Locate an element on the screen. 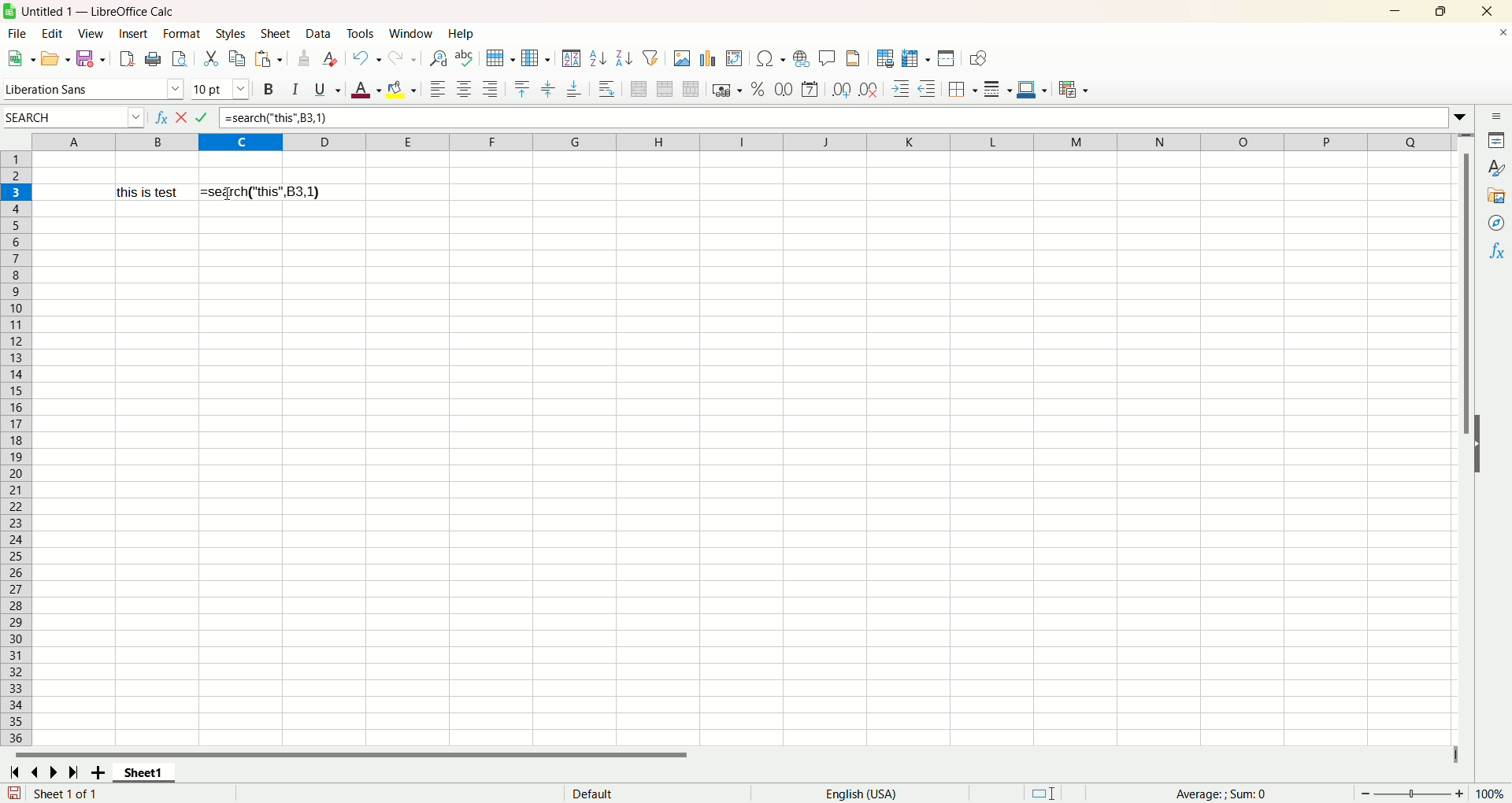  cut is located at coordinates (213, 58).